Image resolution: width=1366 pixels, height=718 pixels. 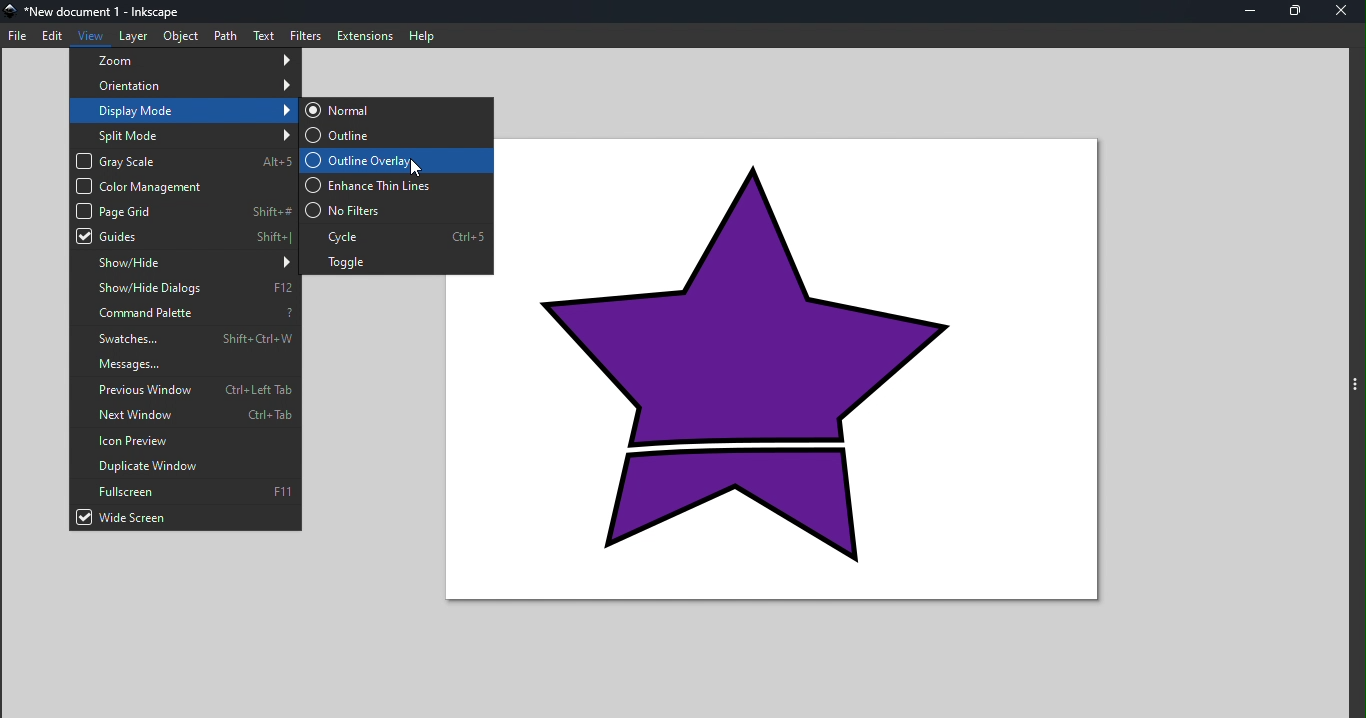 I want to click on Minimize, so click(x=1254, y=11).